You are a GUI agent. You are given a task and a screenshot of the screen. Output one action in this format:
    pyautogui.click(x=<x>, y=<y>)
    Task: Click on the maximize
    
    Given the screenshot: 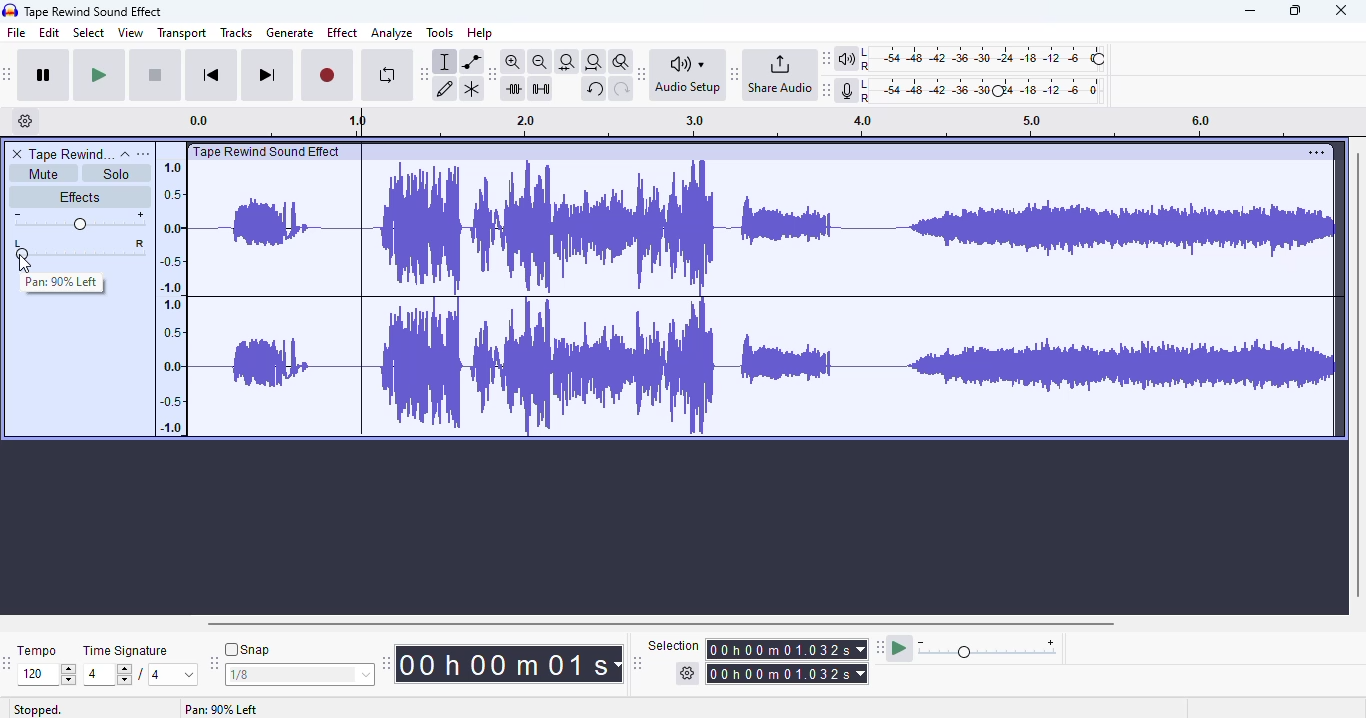 What is the action you would take?
    pyautogui.click(x=1294, y=11)
    